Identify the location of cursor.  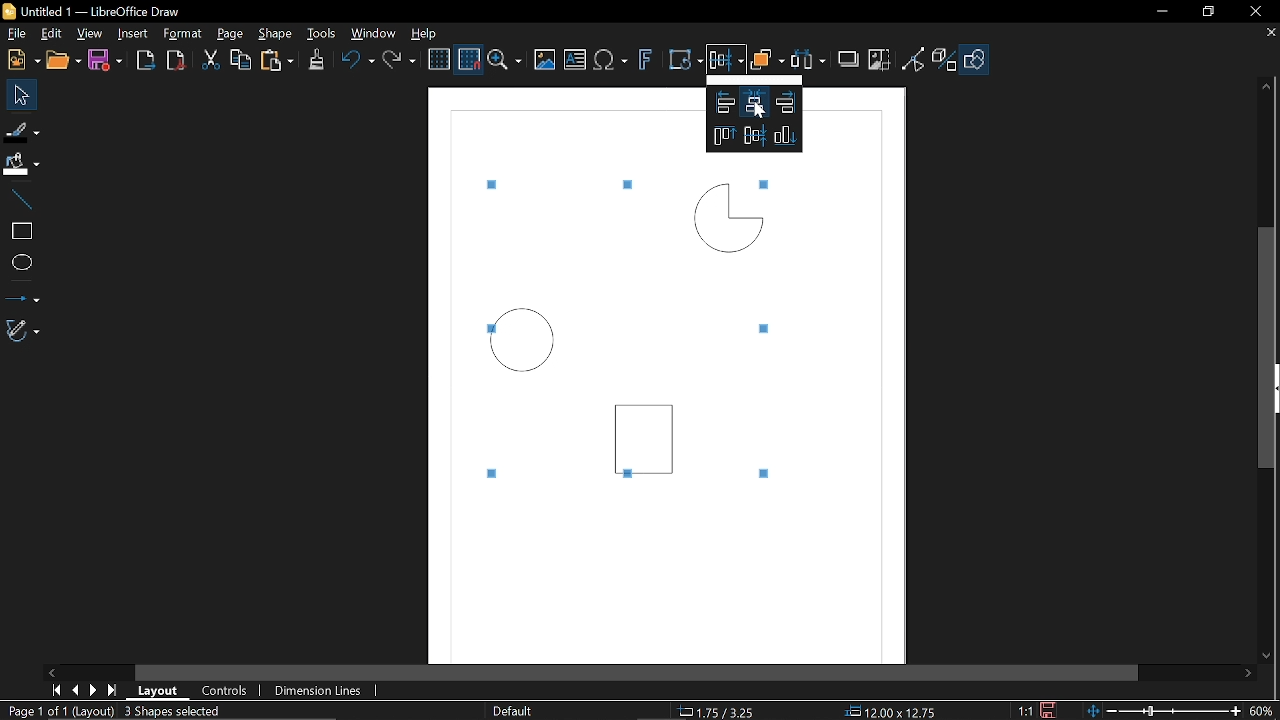
(758, 113).